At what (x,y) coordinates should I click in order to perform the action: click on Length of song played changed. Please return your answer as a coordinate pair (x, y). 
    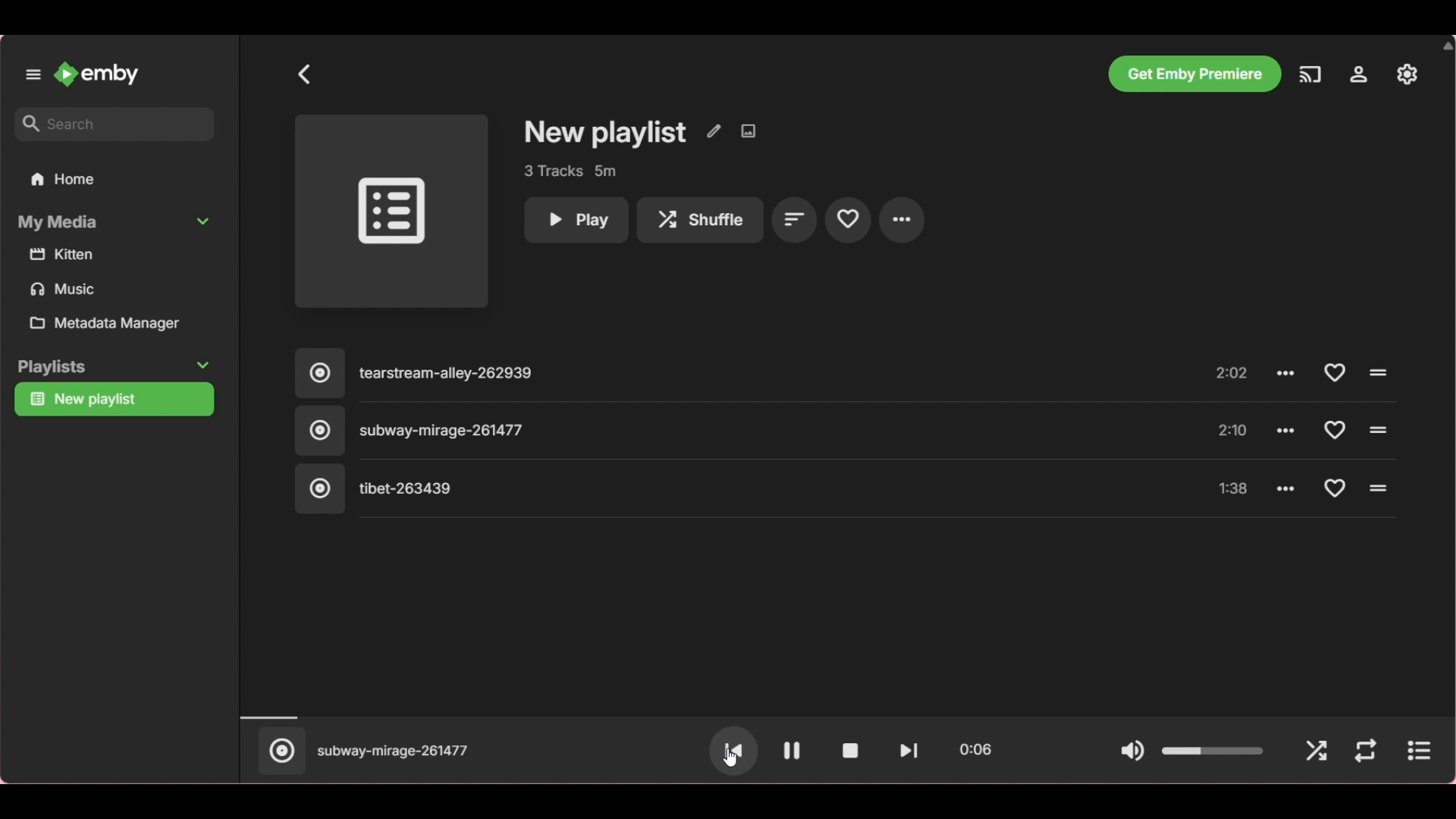
    Looking at the image, I should click on (843, 717).